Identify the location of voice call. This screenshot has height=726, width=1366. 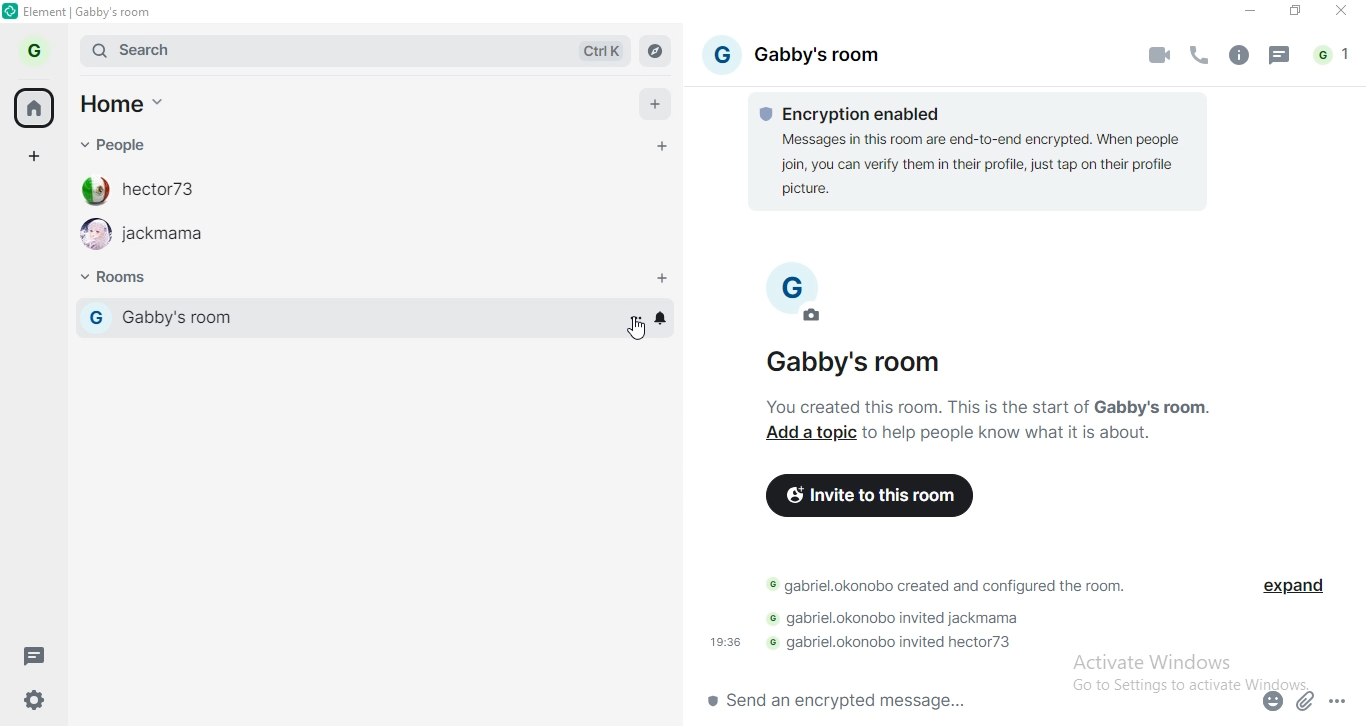
(1200, 56).